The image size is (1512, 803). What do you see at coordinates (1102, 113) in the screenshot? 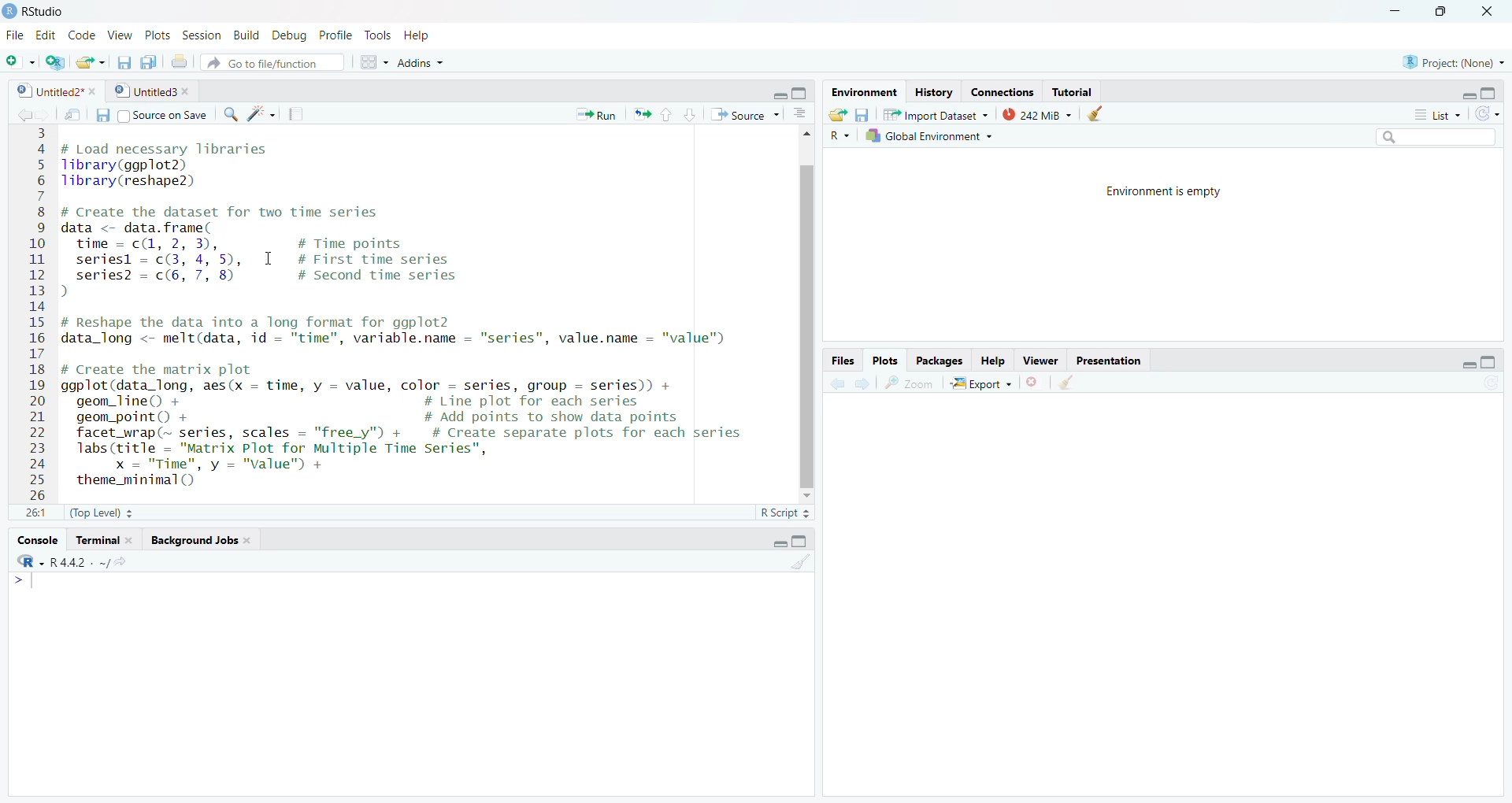
I see `cleaner` at bounding box center [1102, 113].